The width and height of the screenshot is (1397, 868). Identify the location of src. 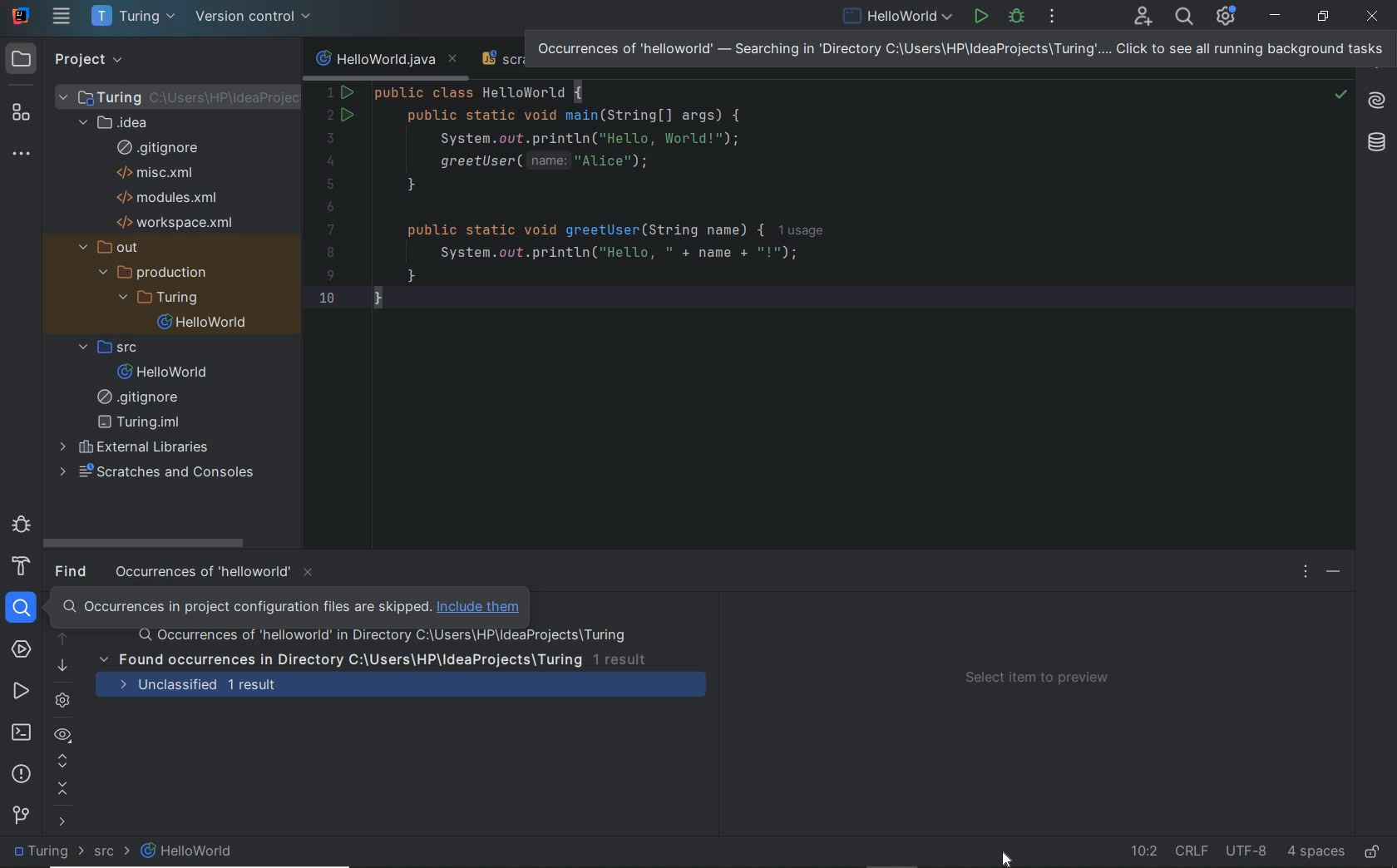
(114, 346).